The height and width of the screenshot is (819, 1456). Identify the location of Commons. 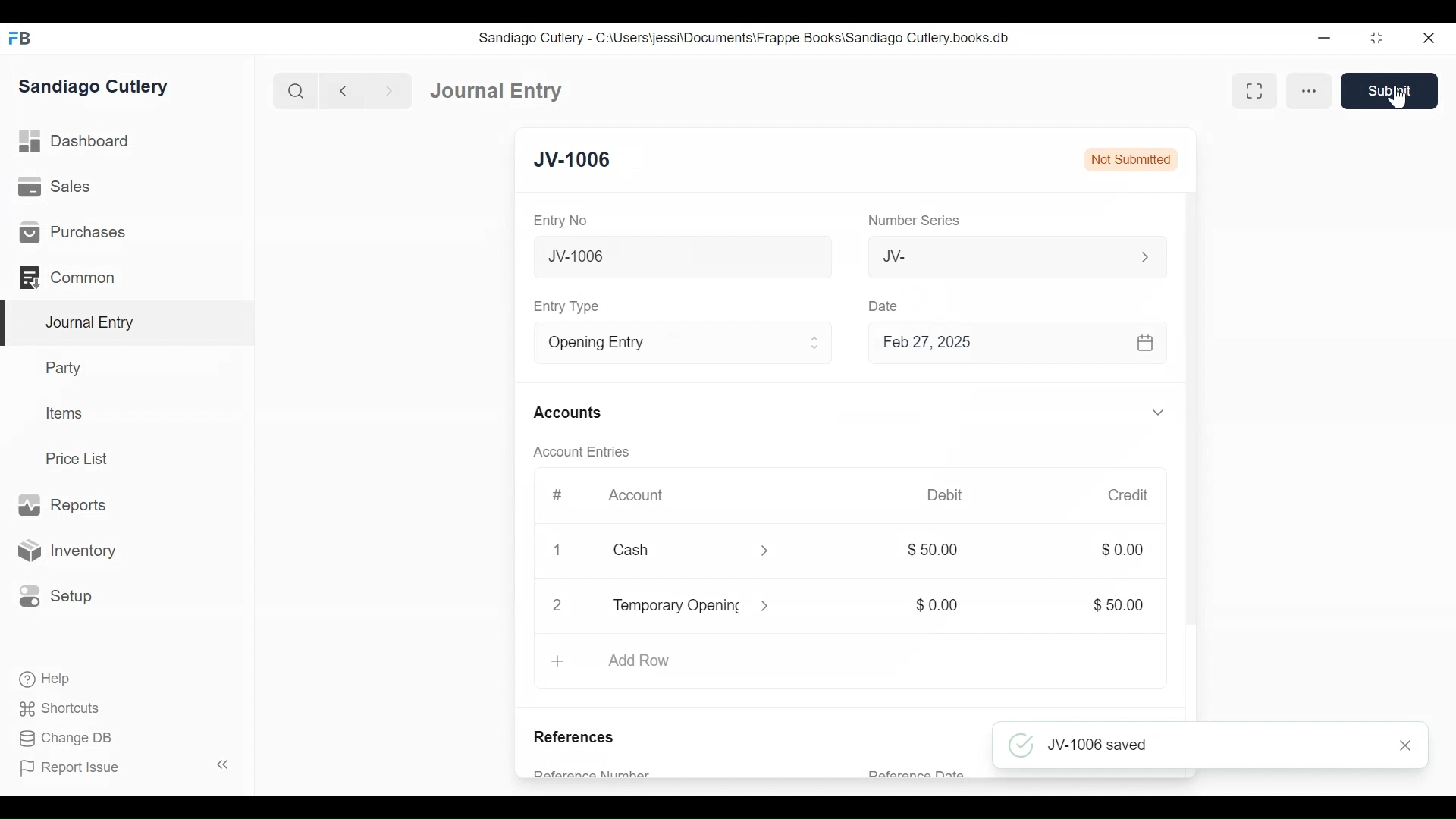
(66, 277).